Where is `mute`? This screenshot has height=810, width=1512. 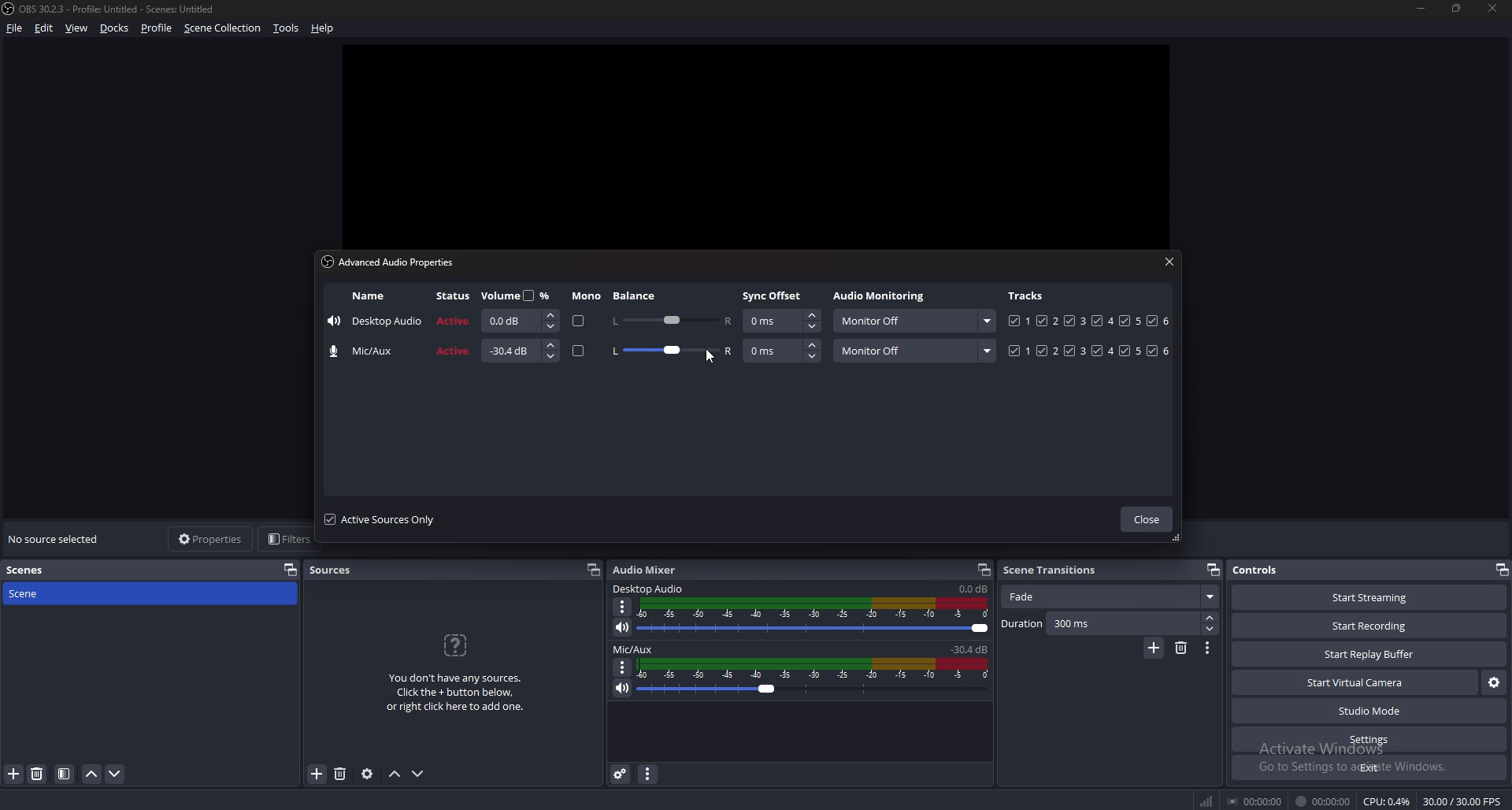
mute is located at coordinates (624, 626).